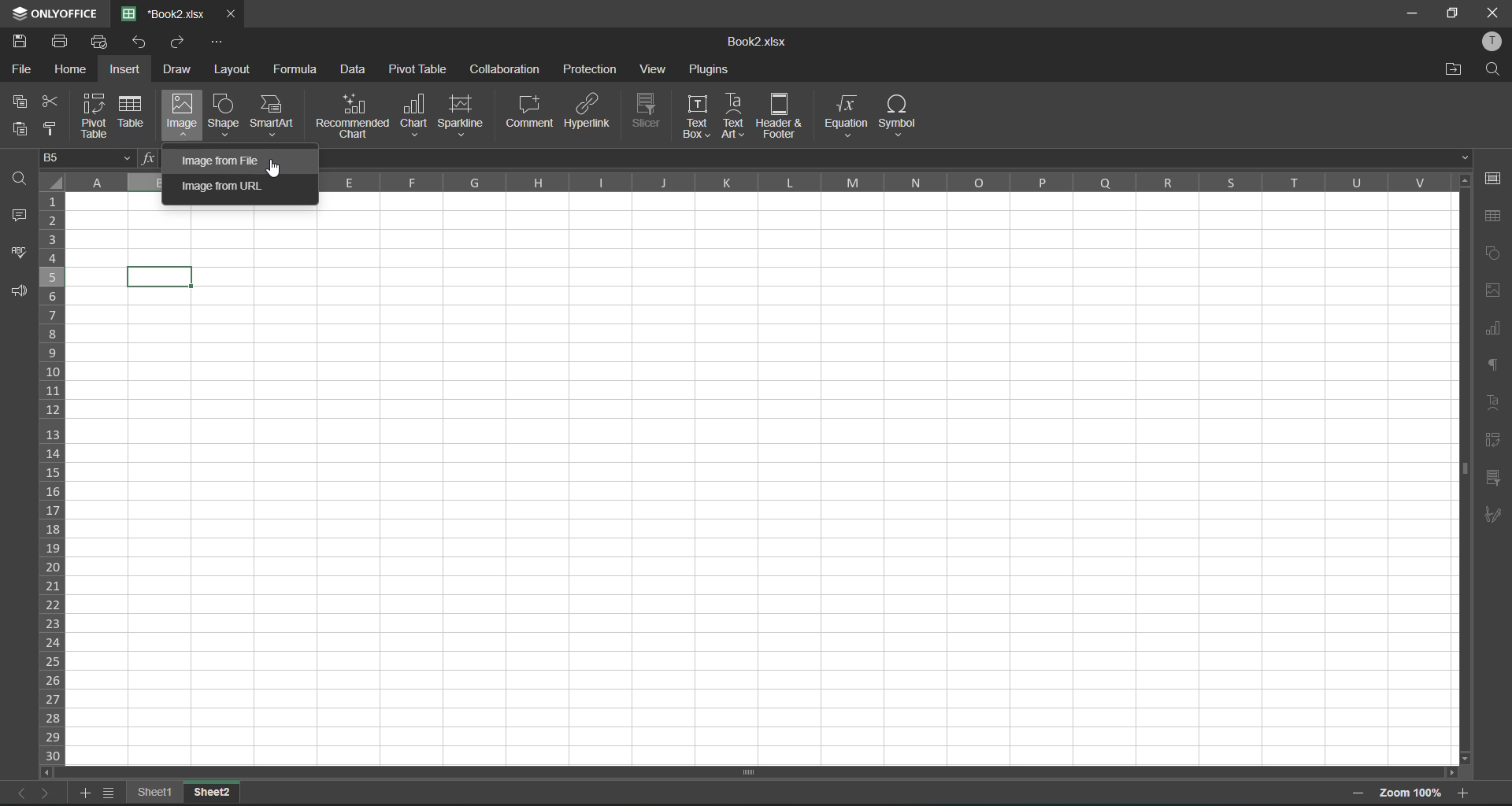 The height and width of the screenshot is (806, 1512). Describe the element at coordinates (751, 43) in the screenshot. I see `Book2.xlsx` at that location.